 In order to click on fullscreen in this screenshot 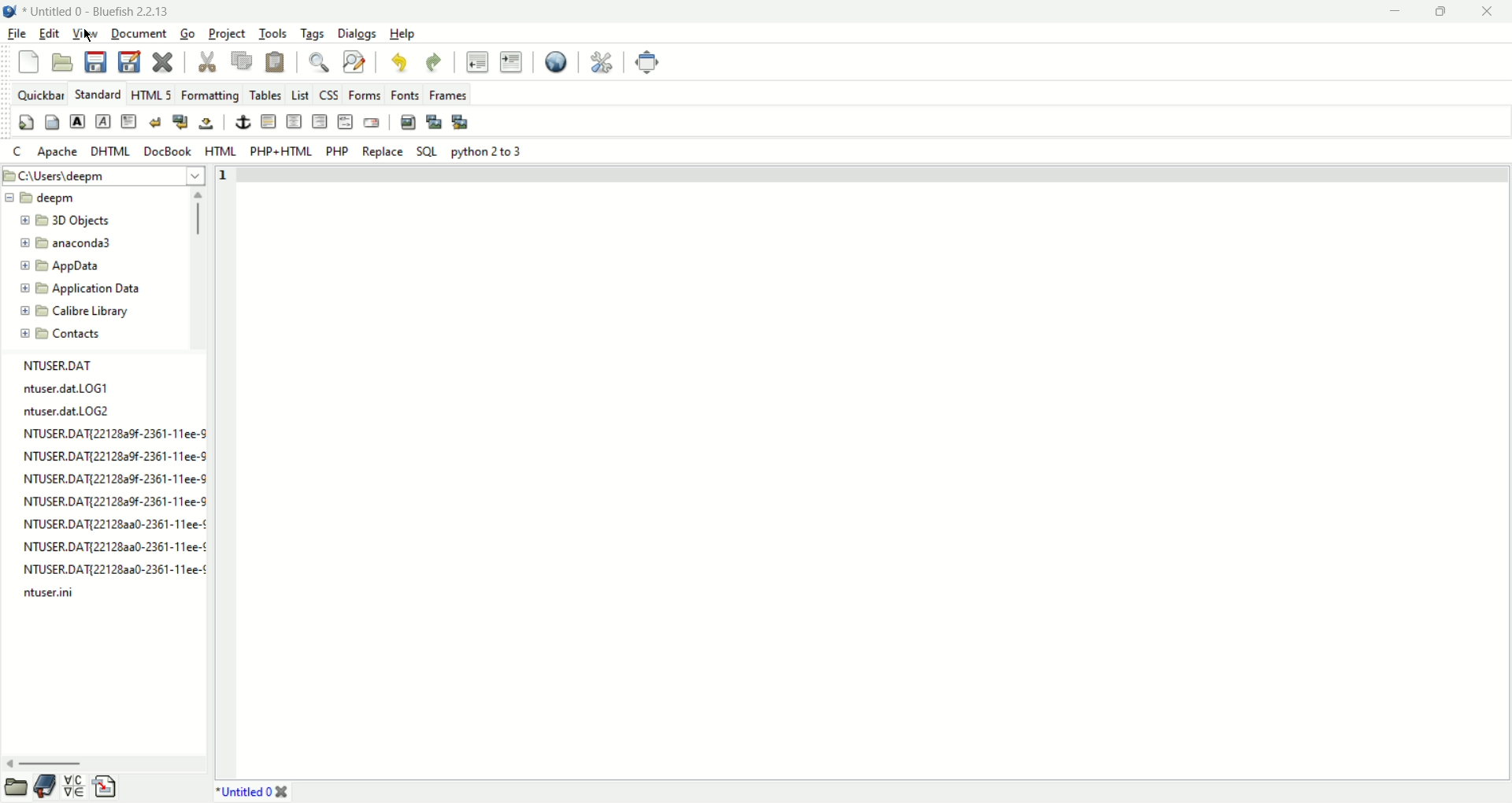, I will do `click(648, 61)`.